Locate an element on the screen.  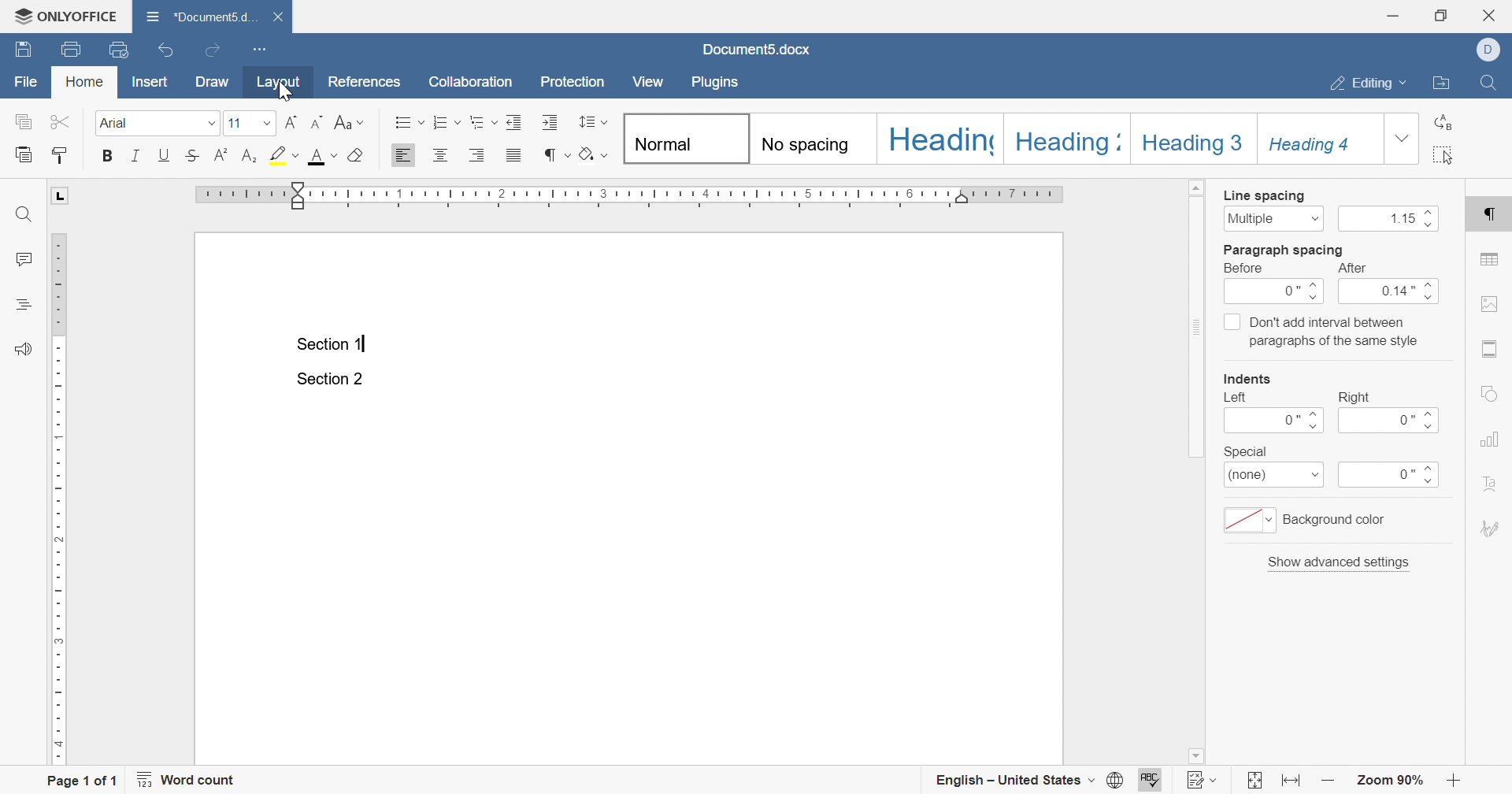
background color is located at coordinates (1309, 520).